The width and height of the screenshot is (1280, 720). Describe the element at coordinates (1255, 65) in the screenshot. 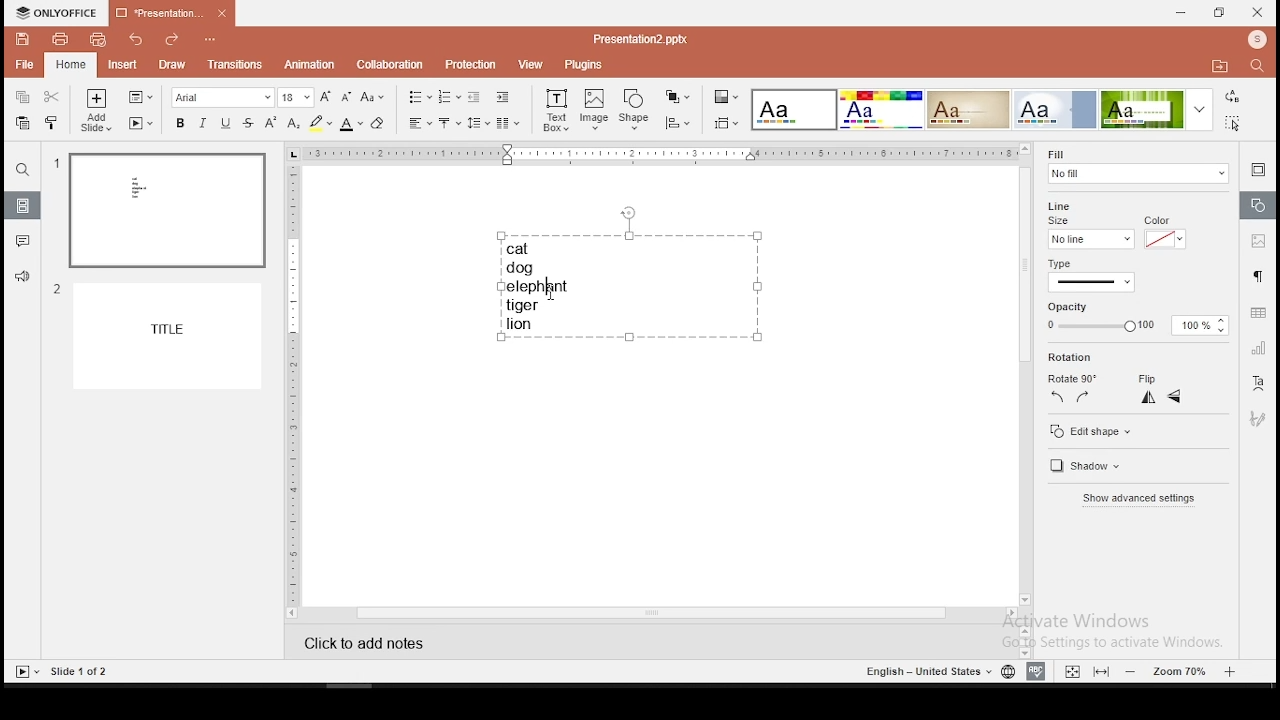

I see `find` at that location.